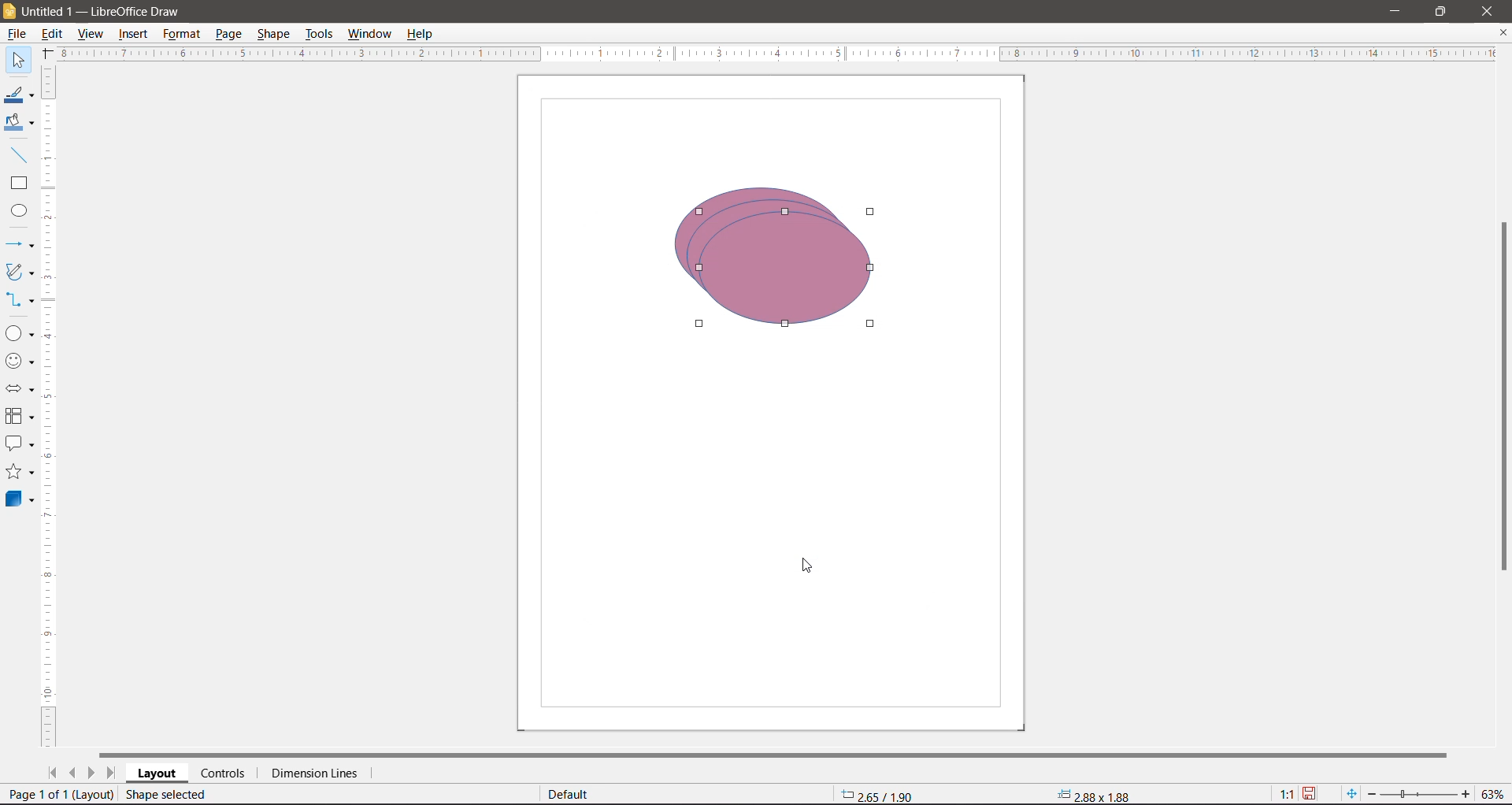 The height and width of the screenshot is (805, 1512). Describe the element at coordinates (169, 795) in the screenshot. I see `Shape selected` at that location.